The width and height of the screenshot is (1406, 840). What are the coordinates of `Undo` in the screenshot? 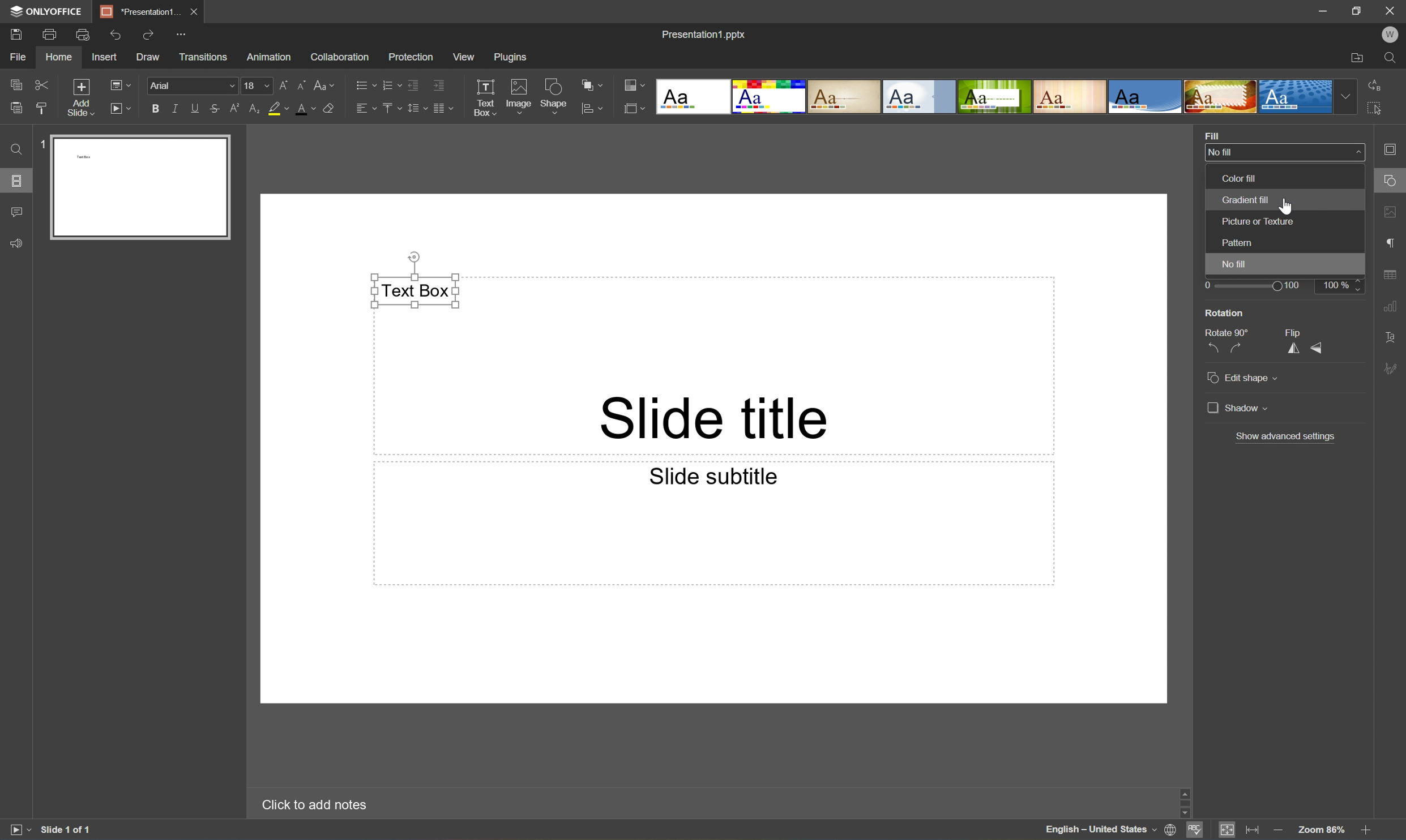 It's located at (118, 36).